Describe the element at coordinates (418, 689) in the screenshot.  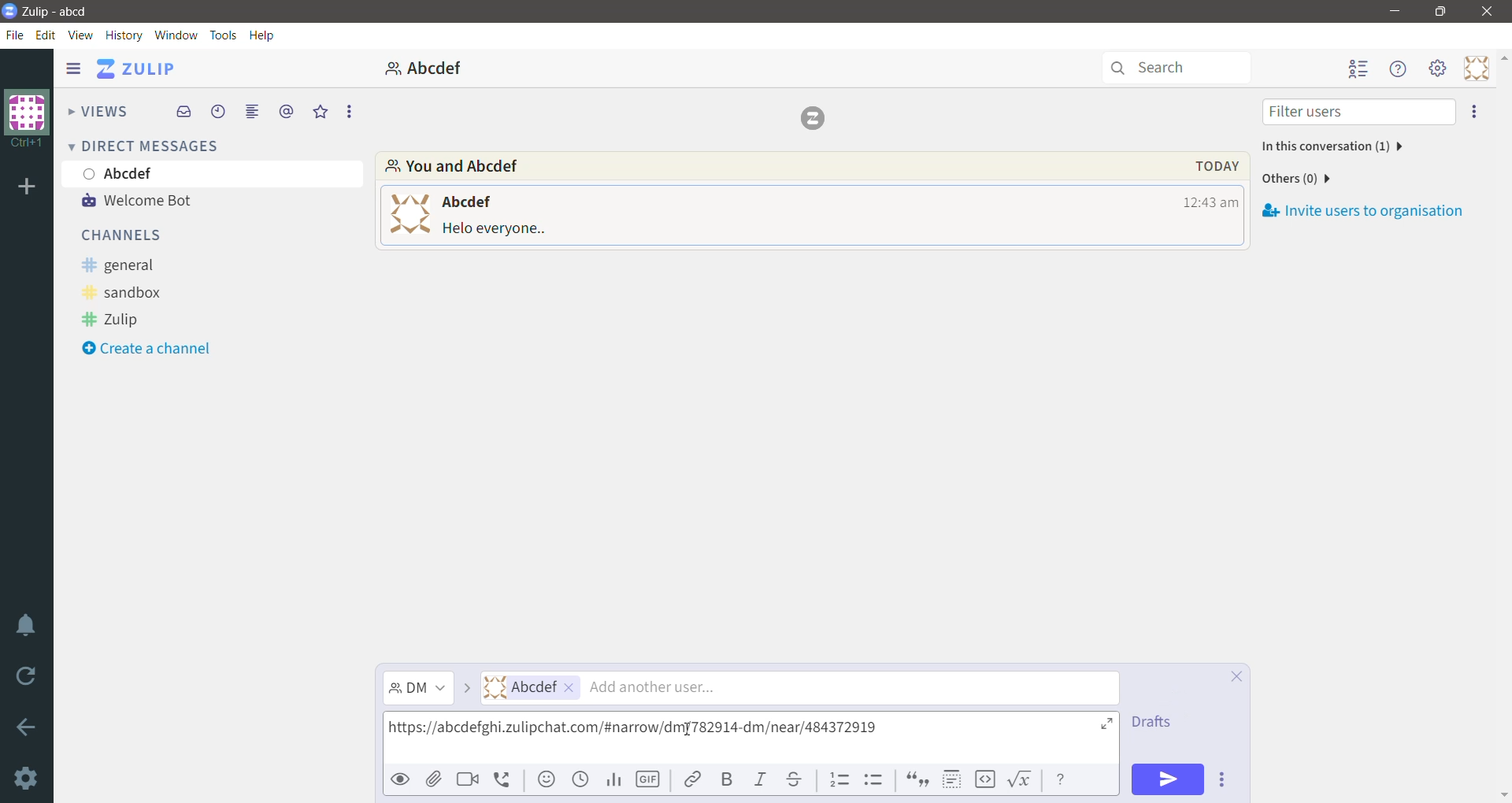
I see `Message Channel` at that location.